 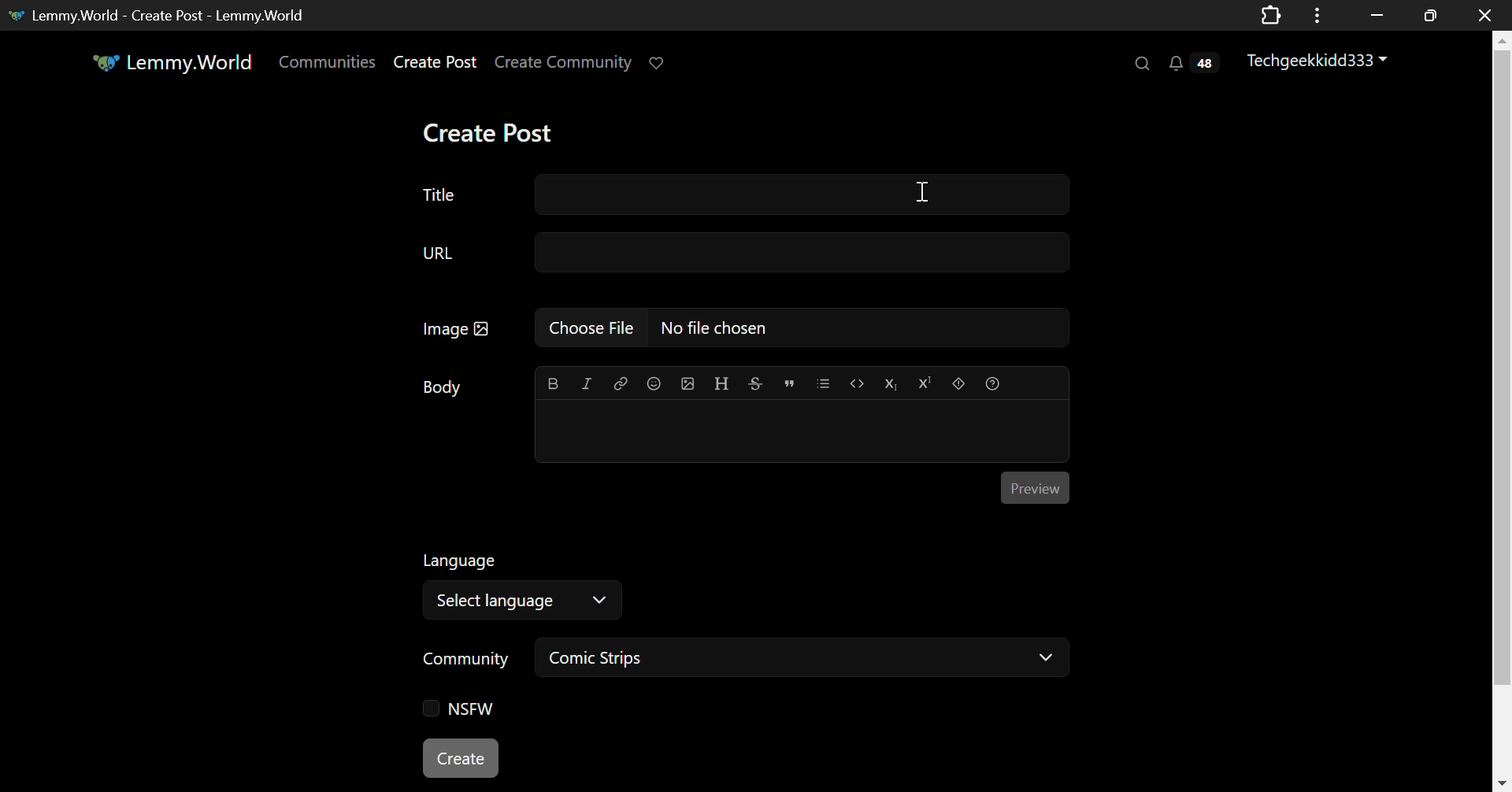 I want to click on Community, so click(x=462, y=660).